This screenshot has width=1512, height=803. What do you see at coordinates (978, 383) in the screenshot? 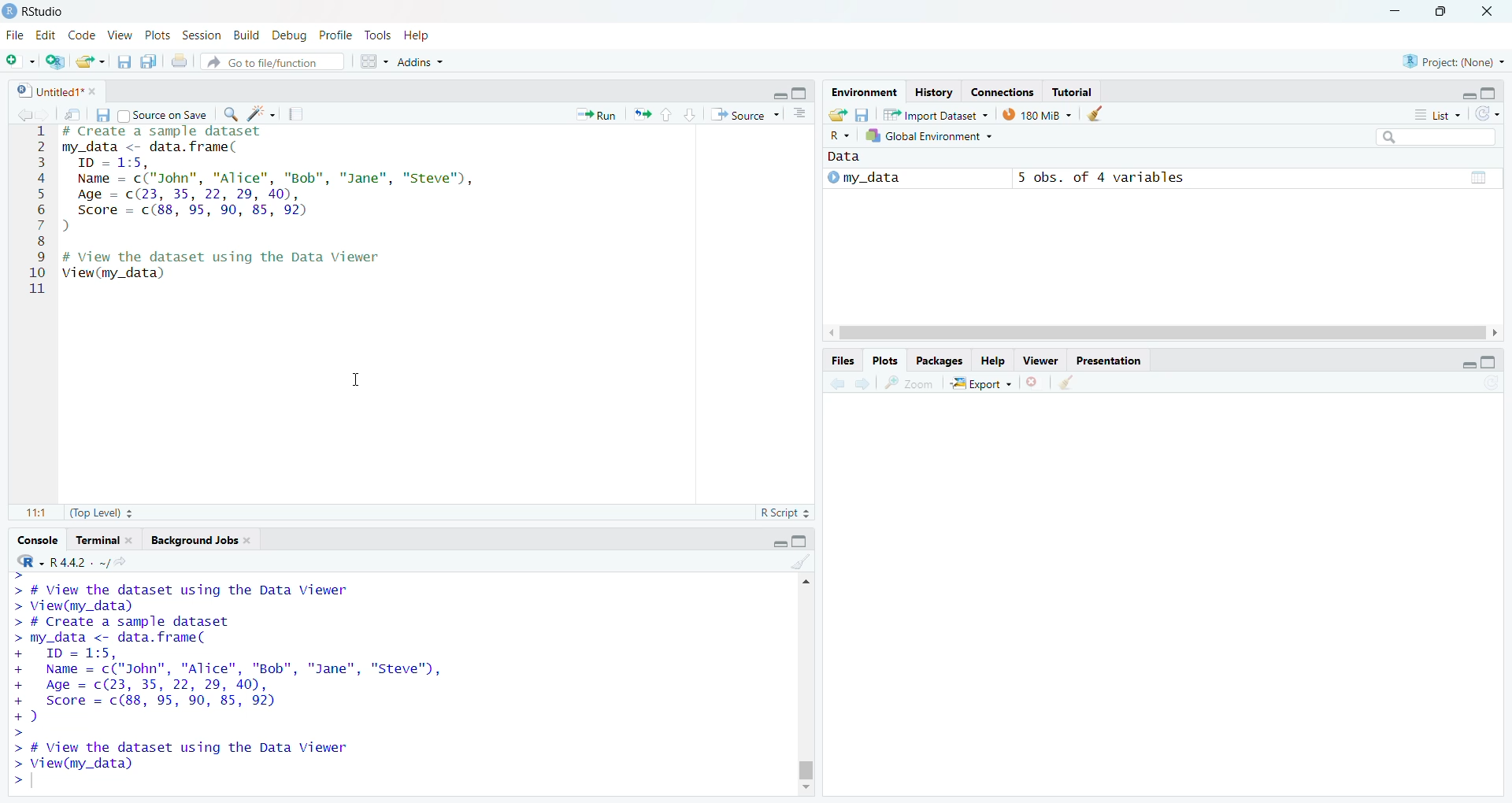
I see `Export` at bounding box center [978, 383].